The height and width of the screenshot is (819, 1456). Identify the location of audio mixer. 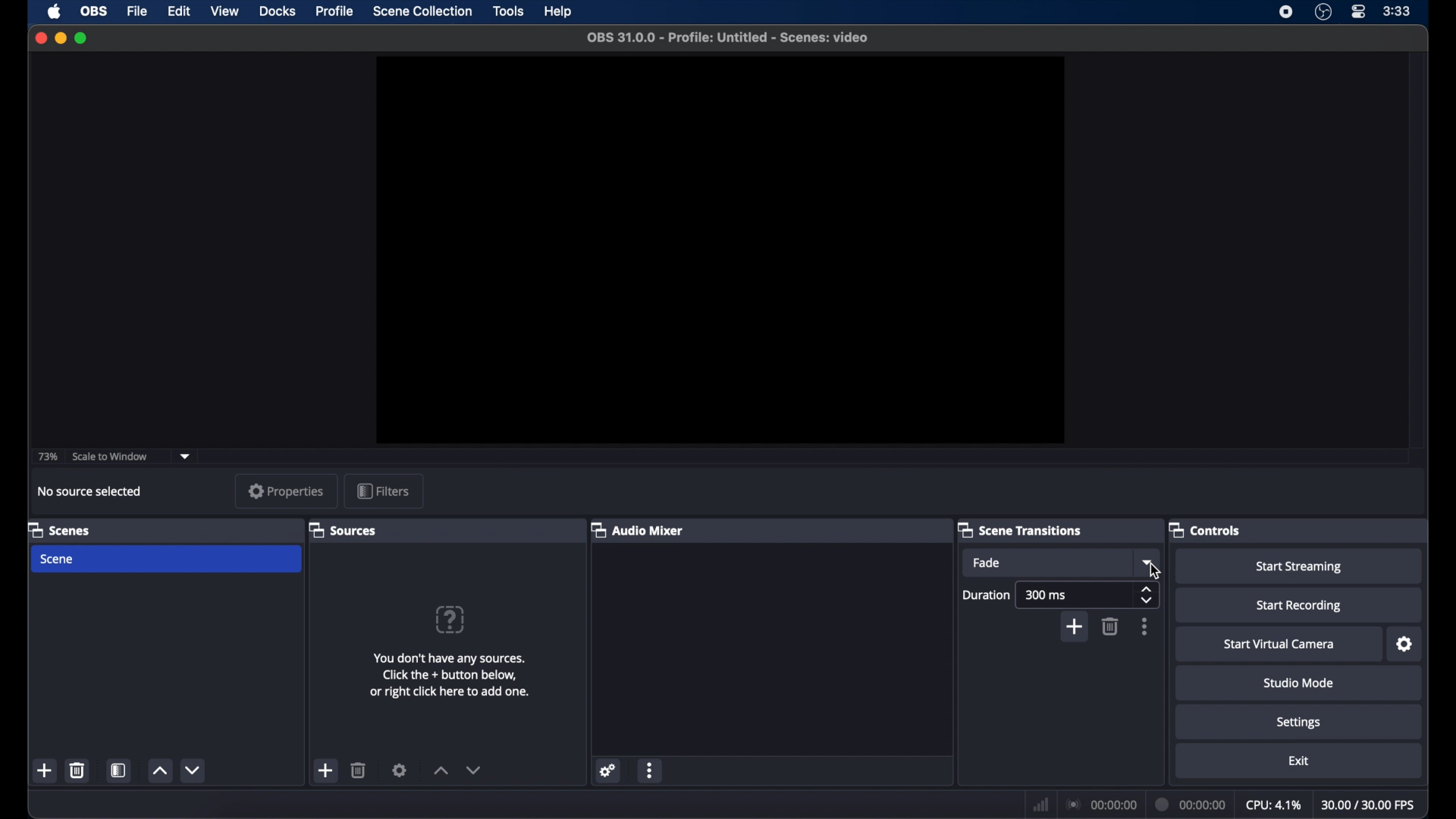
(637, 529).